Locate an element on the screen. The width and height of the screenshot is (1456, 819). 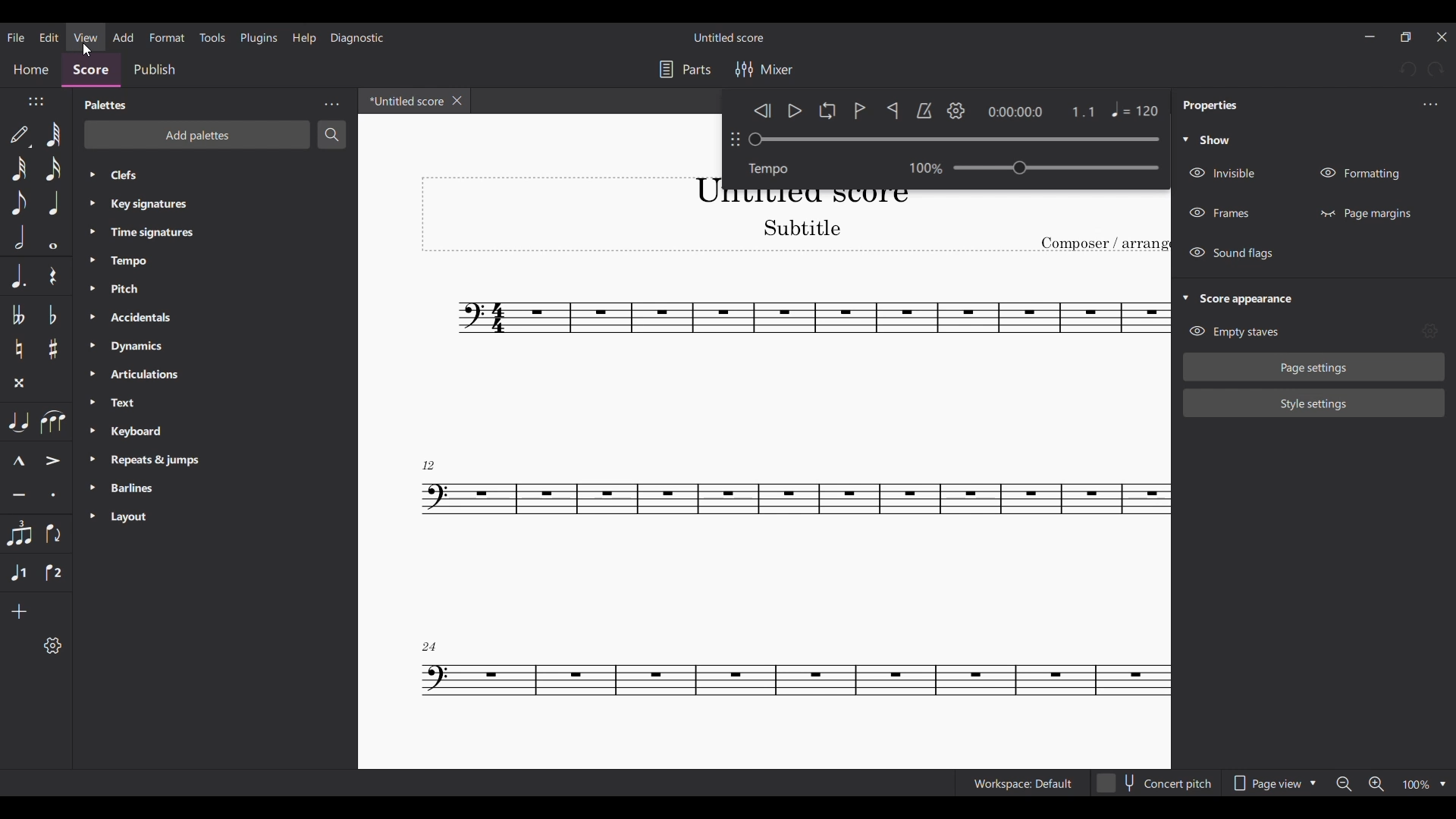
Whole note is located at coordinates (53, 238).